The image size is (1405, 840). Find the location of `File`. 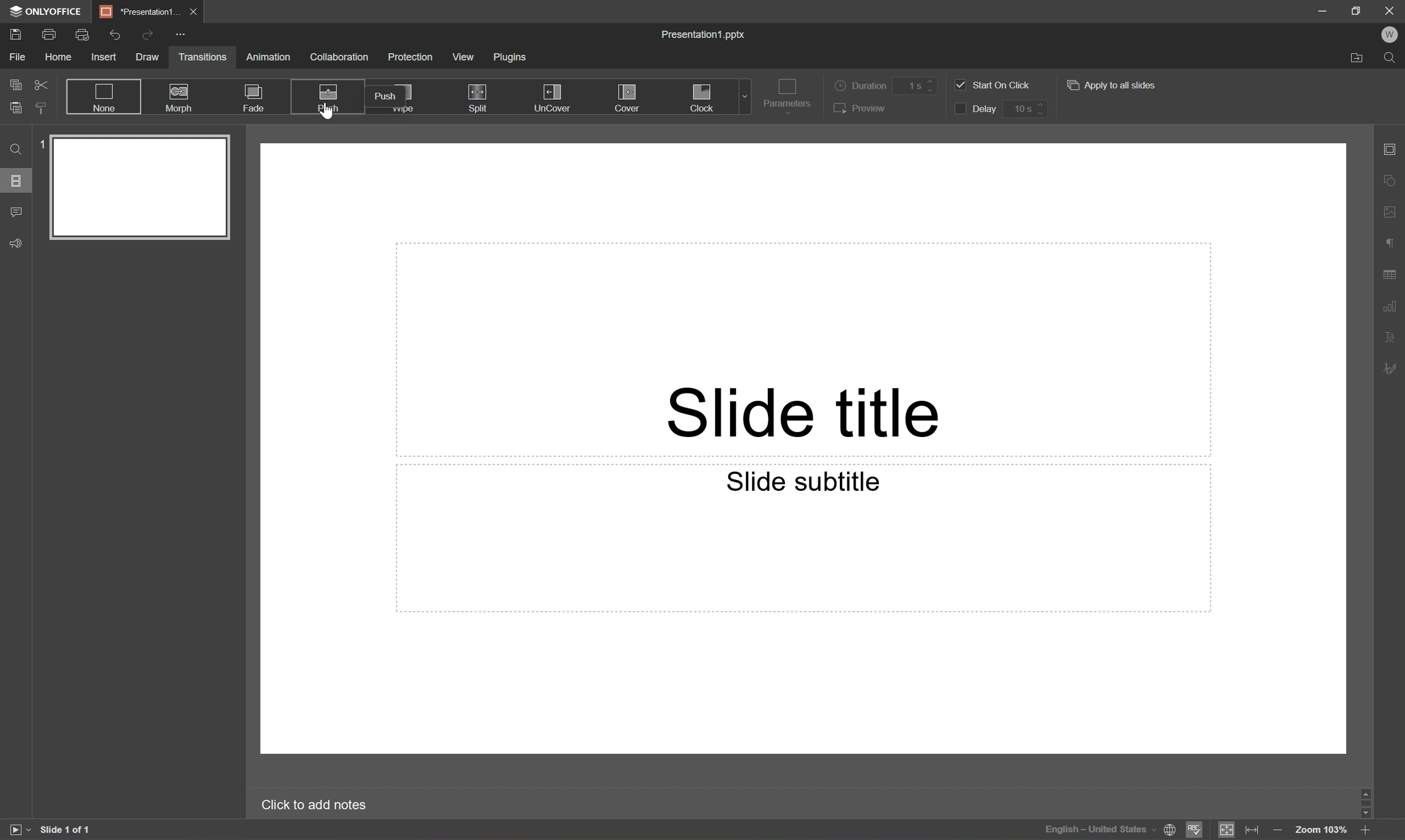

File is located at coordinates (19, 57).